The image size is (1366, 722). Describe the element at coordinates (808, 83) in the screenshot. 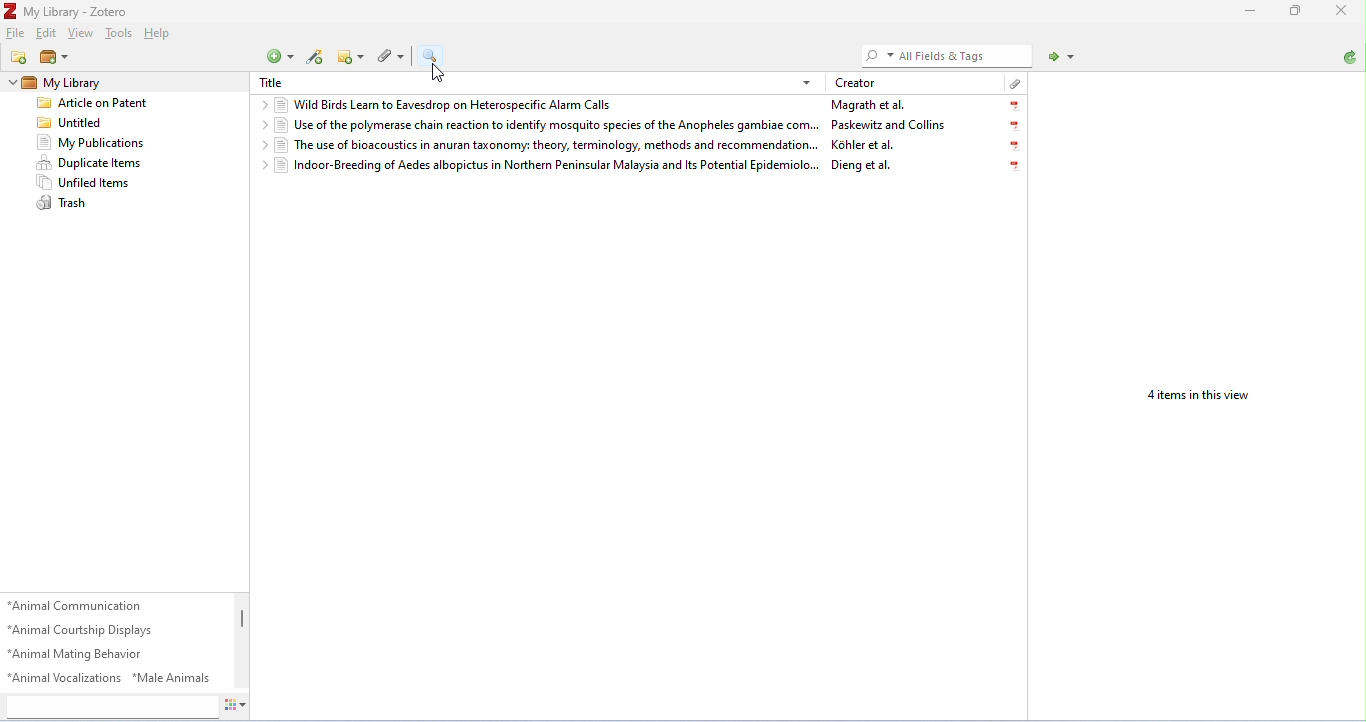

I see `drop-down` at that location.